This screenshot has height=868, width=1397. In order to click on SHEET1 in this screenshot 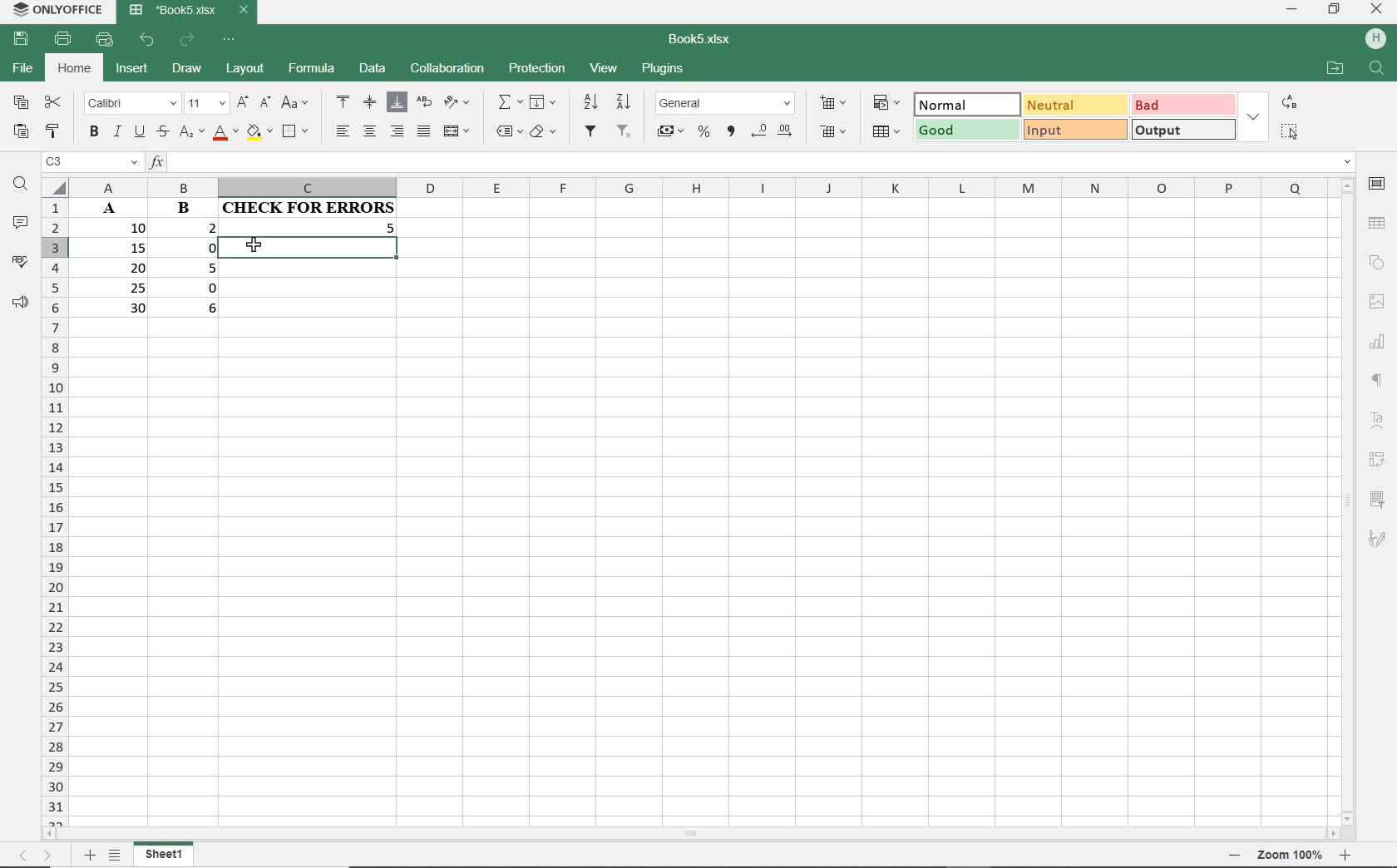, I will do `click(163, 857)`.